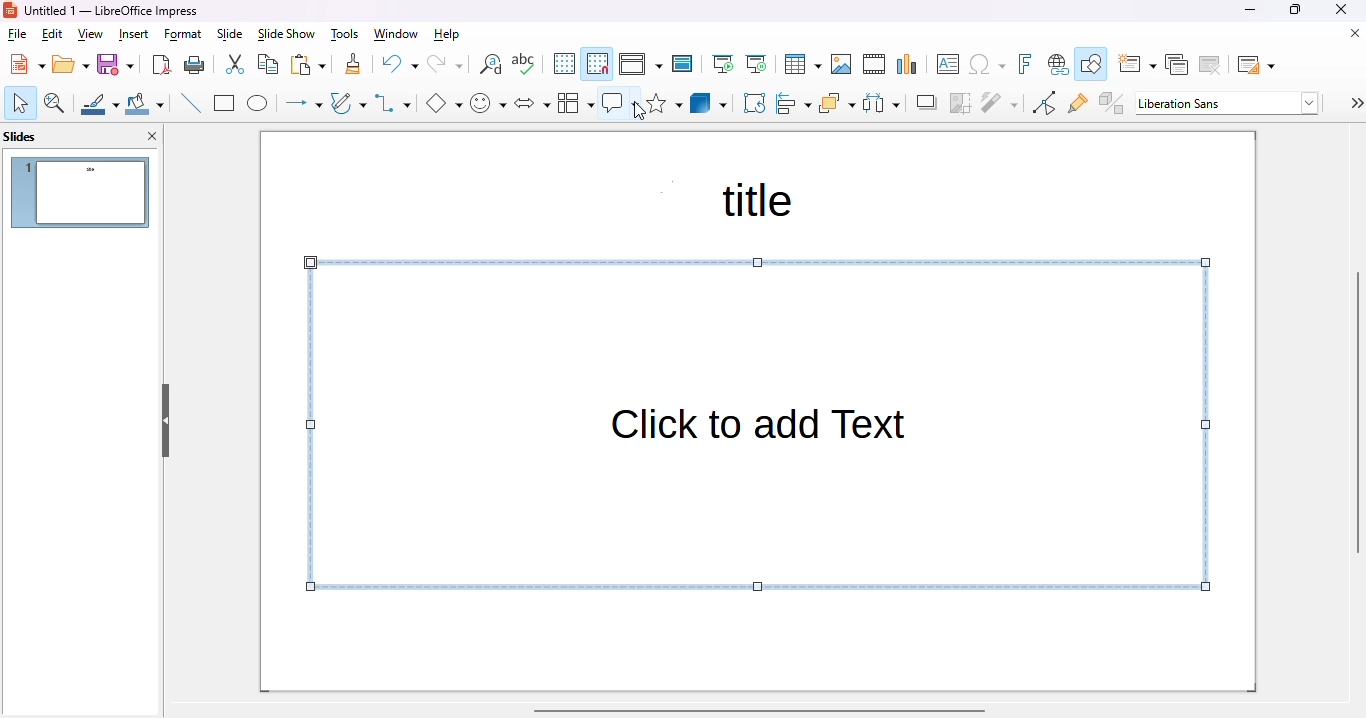  I want to click on display views, so click(641, 64).